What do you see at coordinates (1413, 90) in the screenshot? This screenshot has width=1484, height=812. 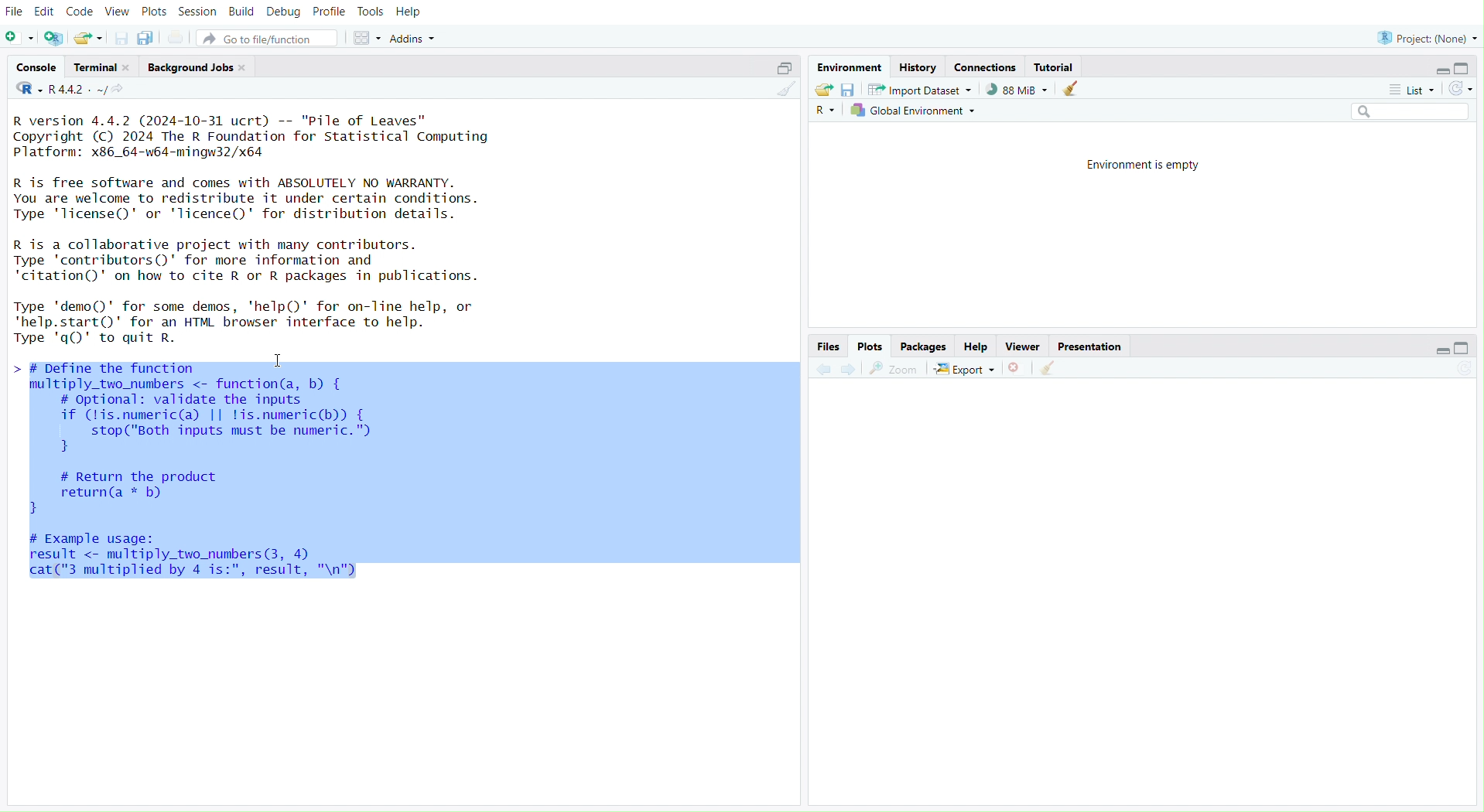 I see `List` at bounding box center [1413, 90].